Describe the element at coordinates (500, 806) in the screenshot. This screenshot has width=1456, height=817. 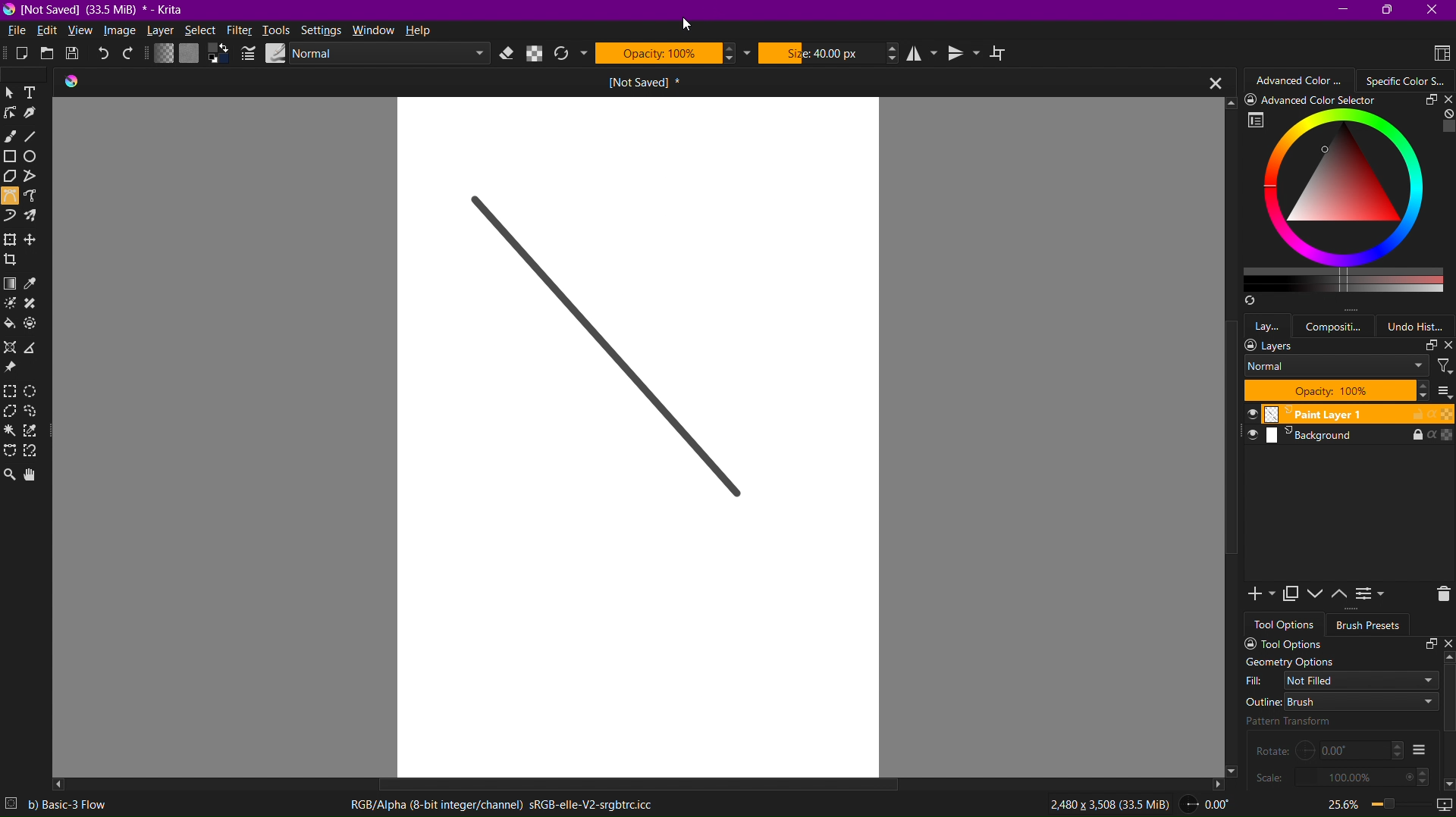
I see `RGB/Alpha(8-bit integer/channel)` at that location.